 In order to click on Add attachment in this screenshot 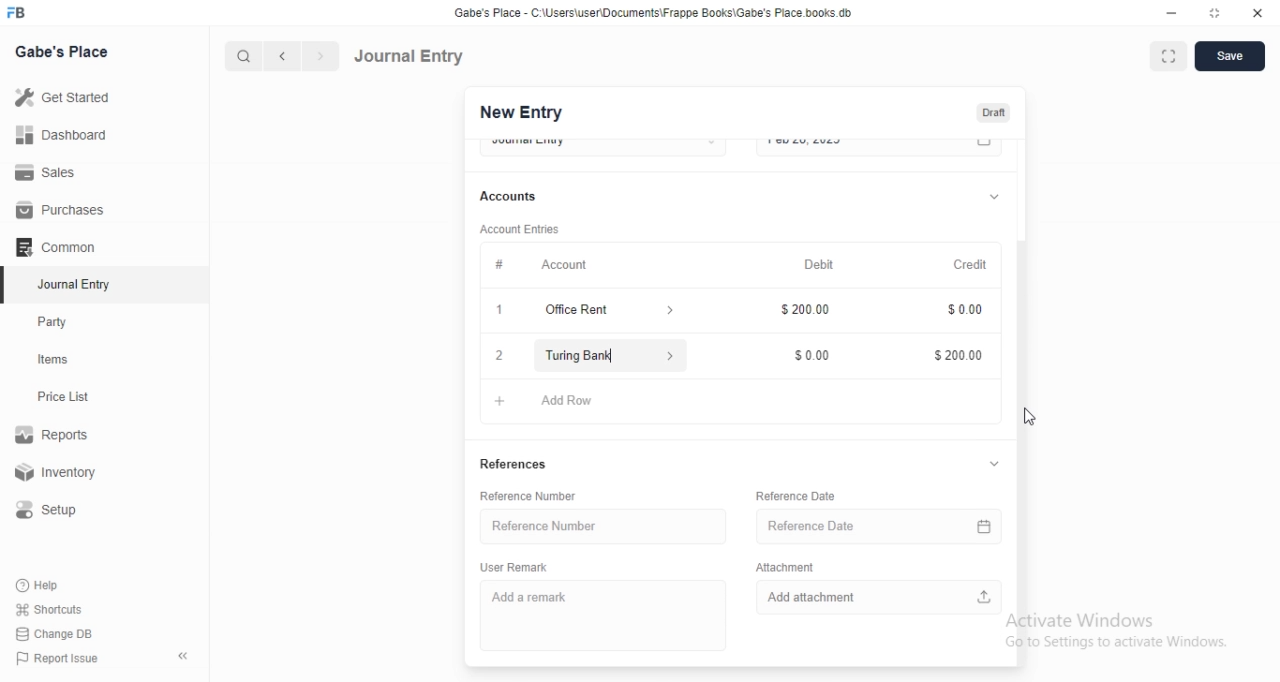, I will do `click(882, 599)`.